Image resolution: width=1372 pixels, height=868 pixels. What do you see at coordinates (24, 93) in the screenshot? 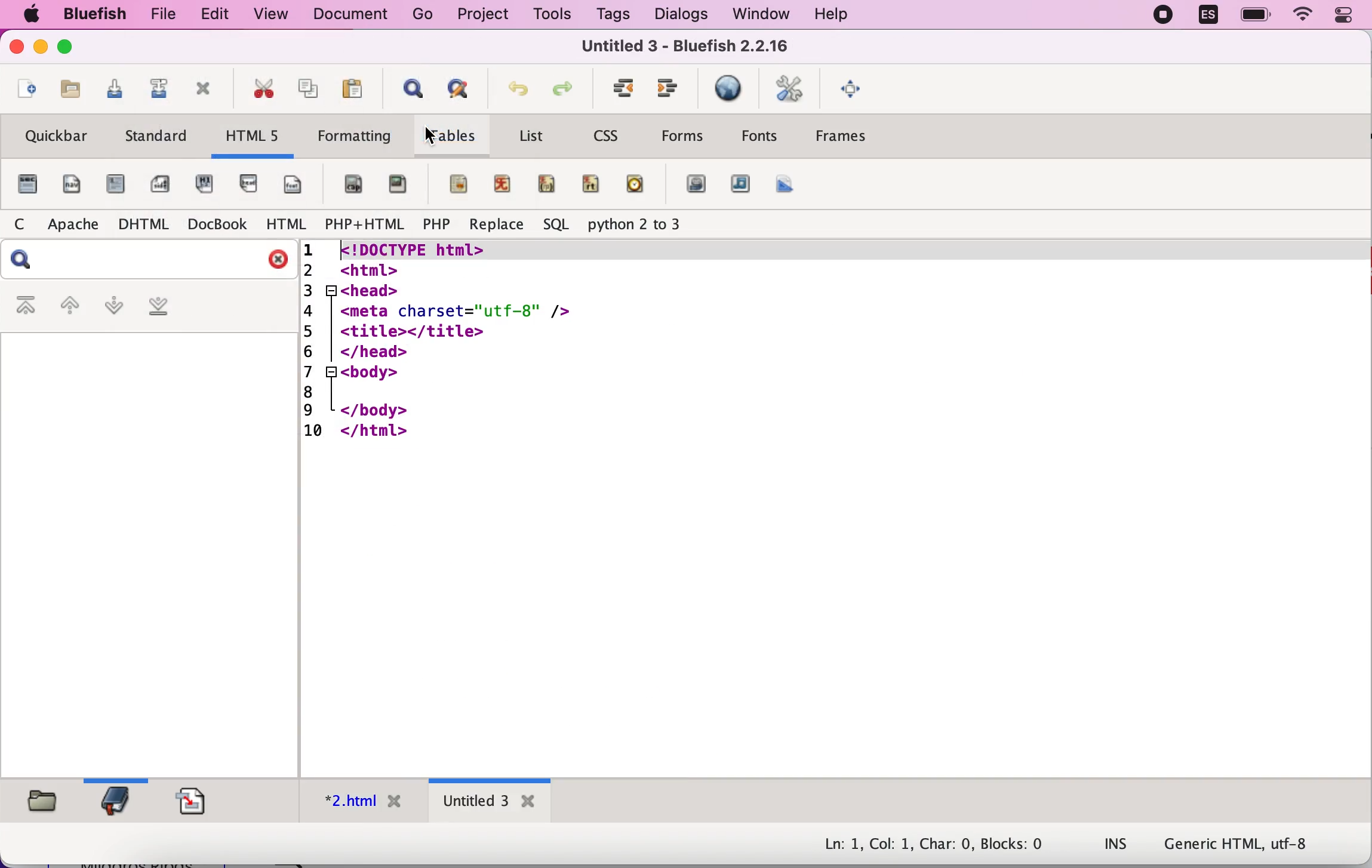
I see `new file` at bounding box center [24, 93].